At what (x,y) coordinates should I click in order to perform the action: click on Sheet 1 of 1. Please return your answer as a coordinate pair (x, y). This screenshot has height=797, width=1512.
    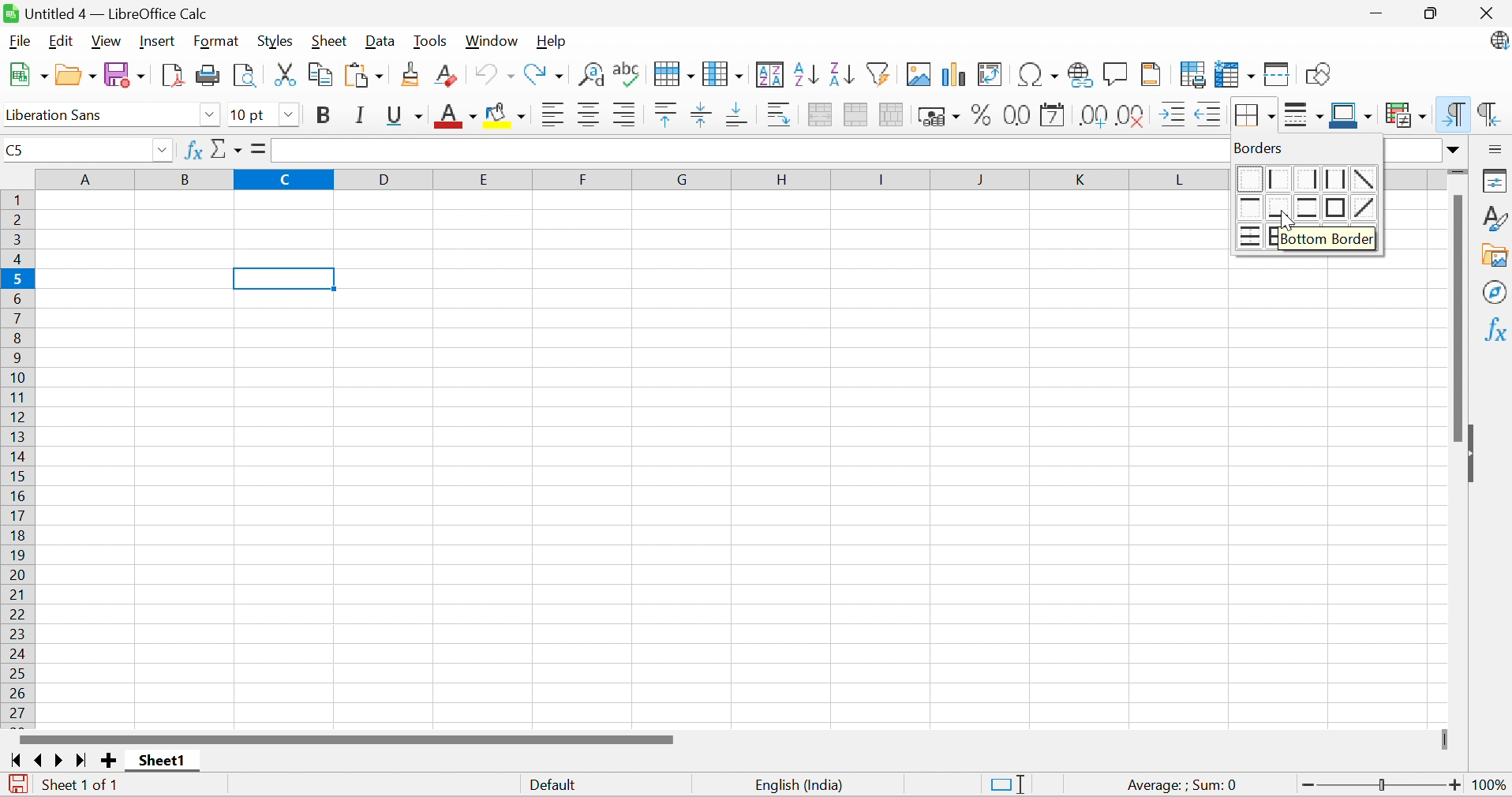
    Looking at the image, I should click on (80, 783).